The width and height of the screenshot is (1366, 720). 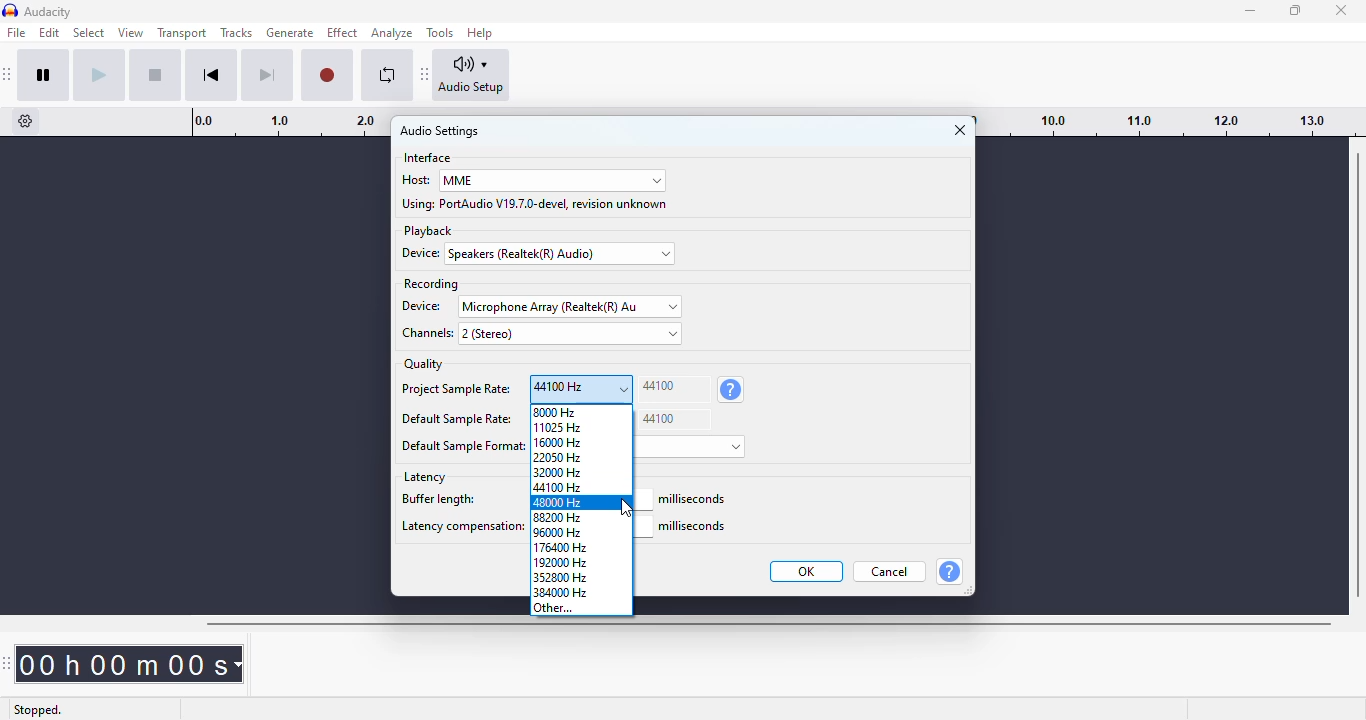 I want to click on 176400 Hz, so click(x=582, y=548).